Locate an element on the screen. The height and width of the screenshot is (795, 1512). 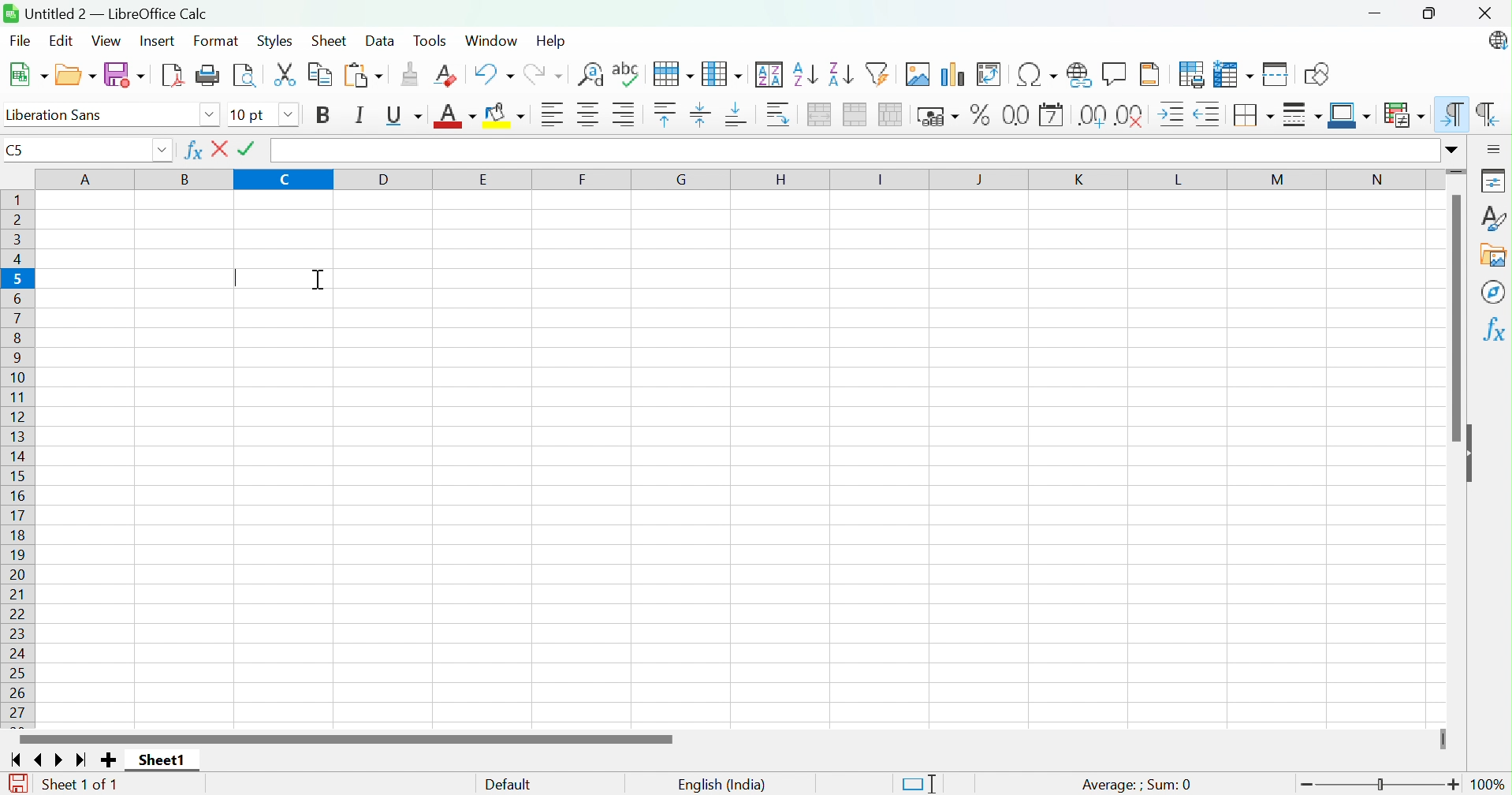
Delete decimal place is located at coordinates (1130, 116).